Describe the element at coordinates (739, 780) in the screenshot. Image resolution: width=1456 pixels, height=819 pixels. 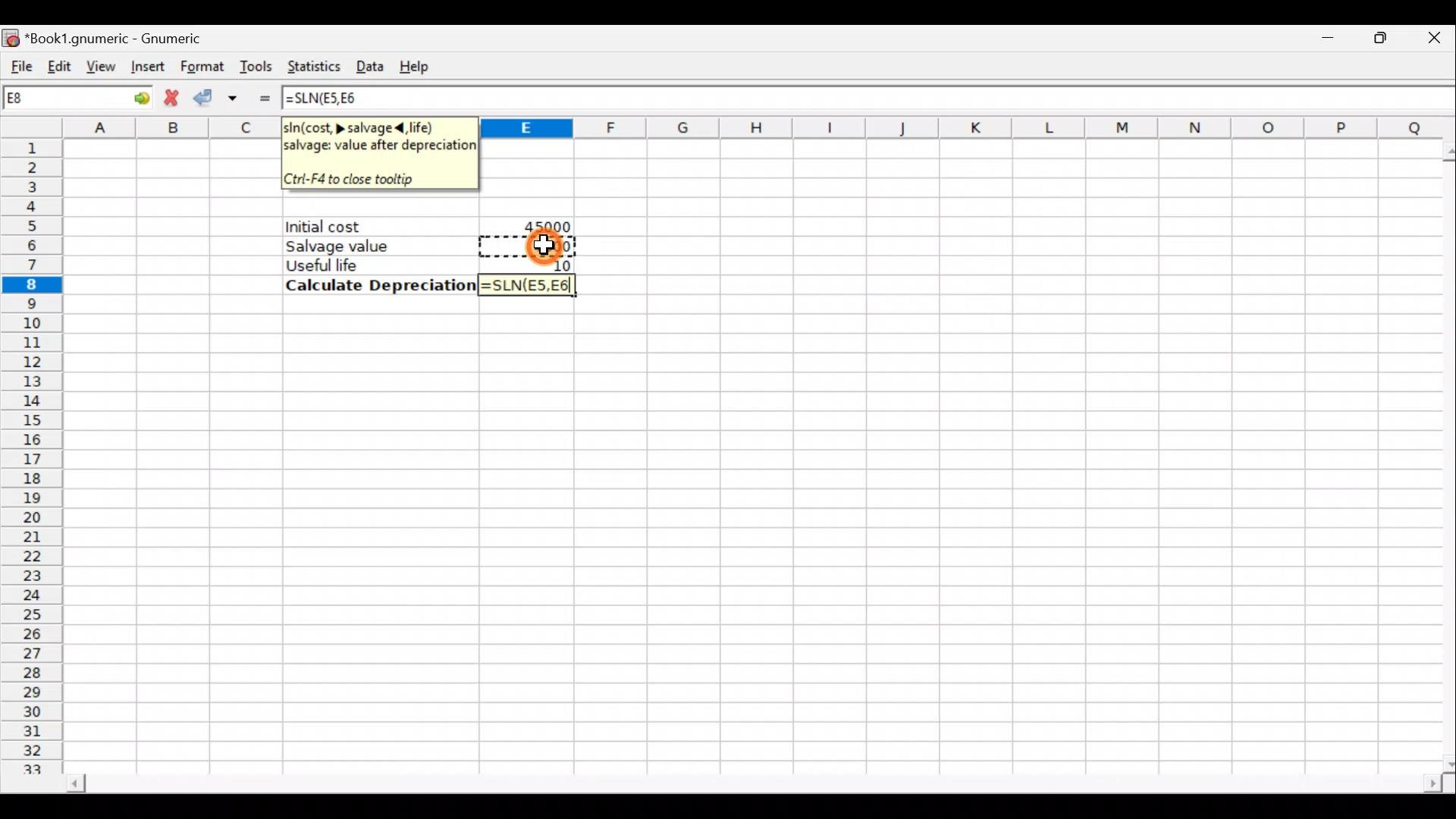
I see `Scroll bar` at that location.